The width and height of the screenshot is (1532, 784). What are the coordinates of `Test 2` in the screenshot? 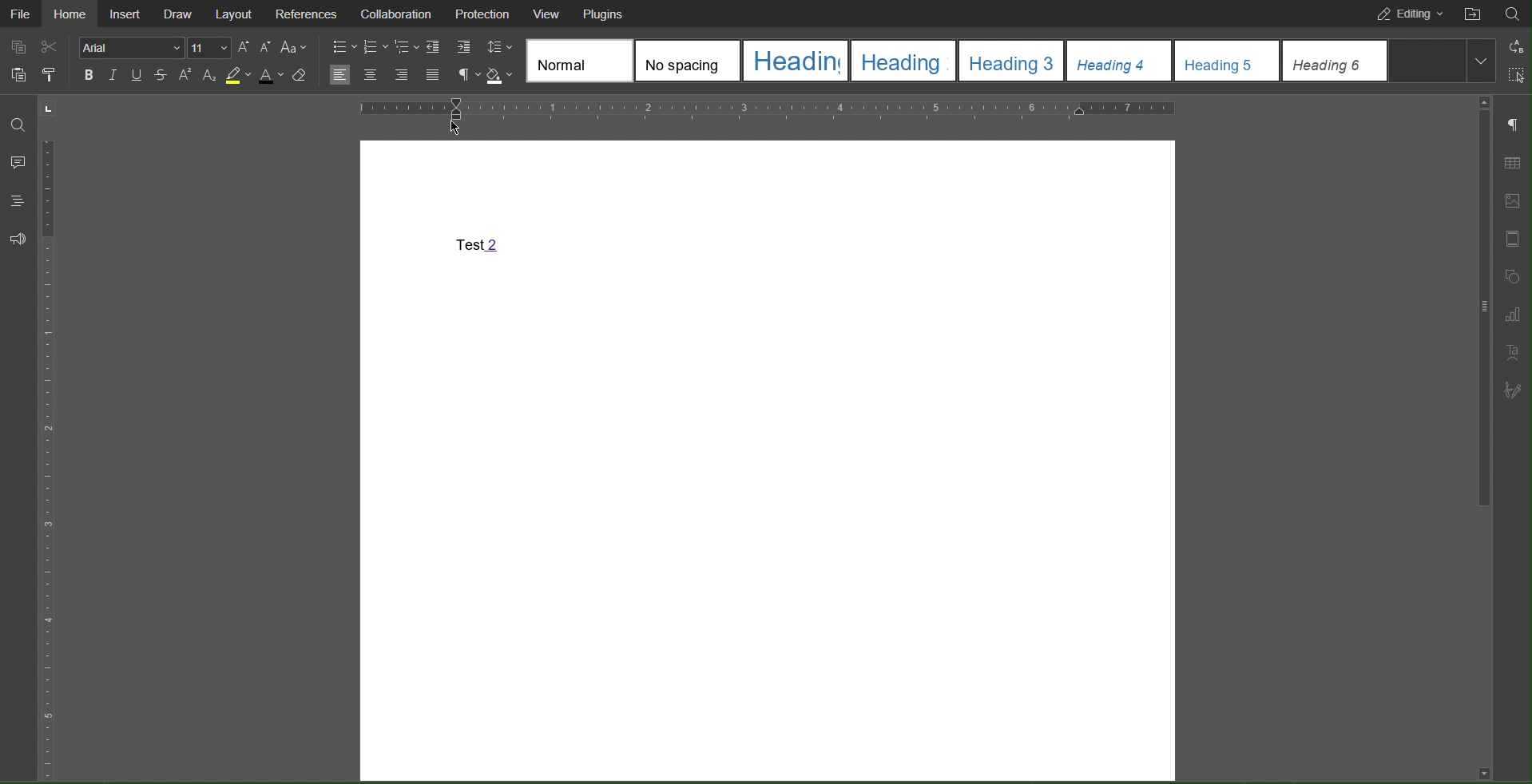 It's located at (480, 247).